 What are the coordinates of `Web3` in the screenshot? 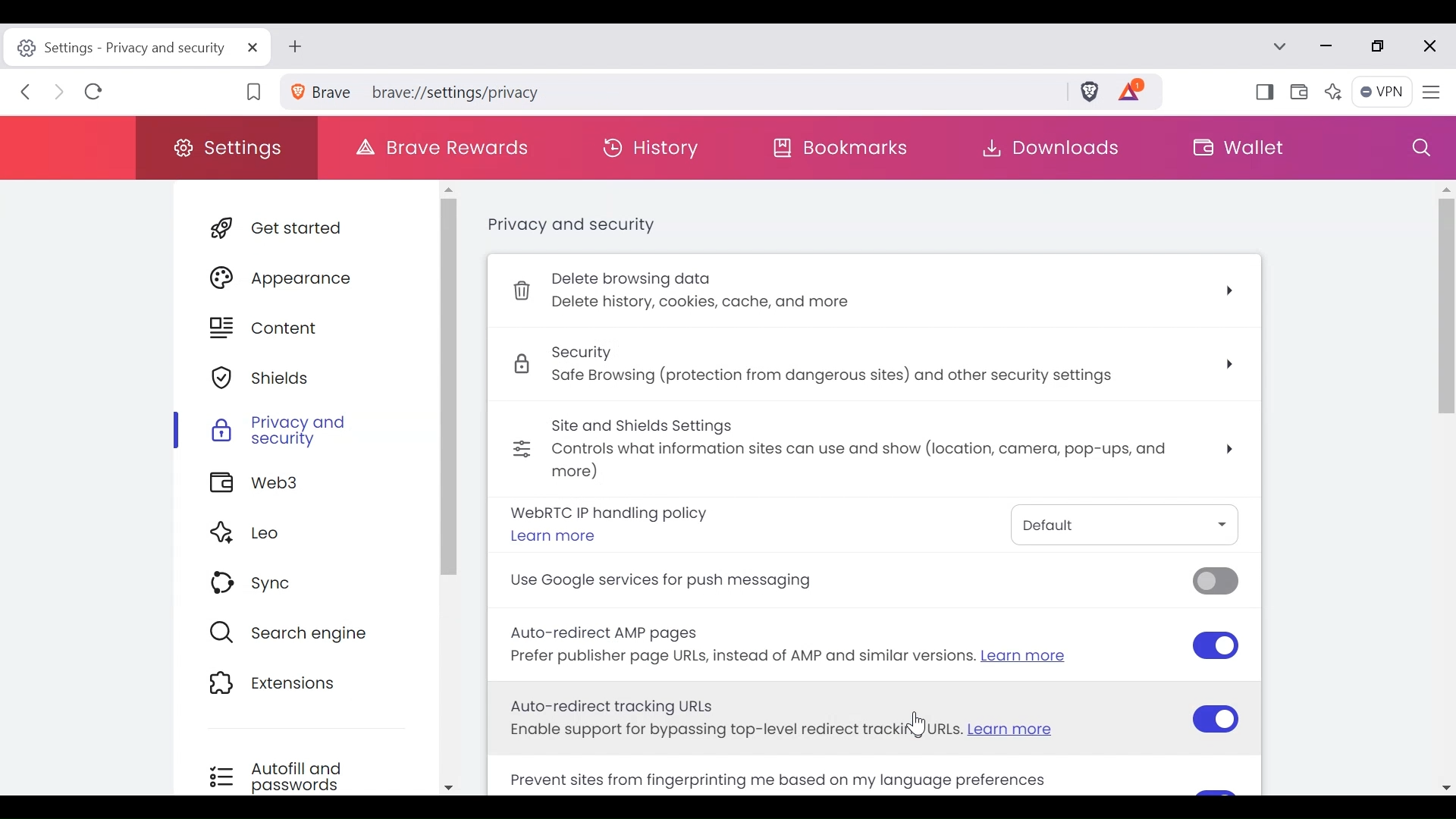 It's located at (299, 485).